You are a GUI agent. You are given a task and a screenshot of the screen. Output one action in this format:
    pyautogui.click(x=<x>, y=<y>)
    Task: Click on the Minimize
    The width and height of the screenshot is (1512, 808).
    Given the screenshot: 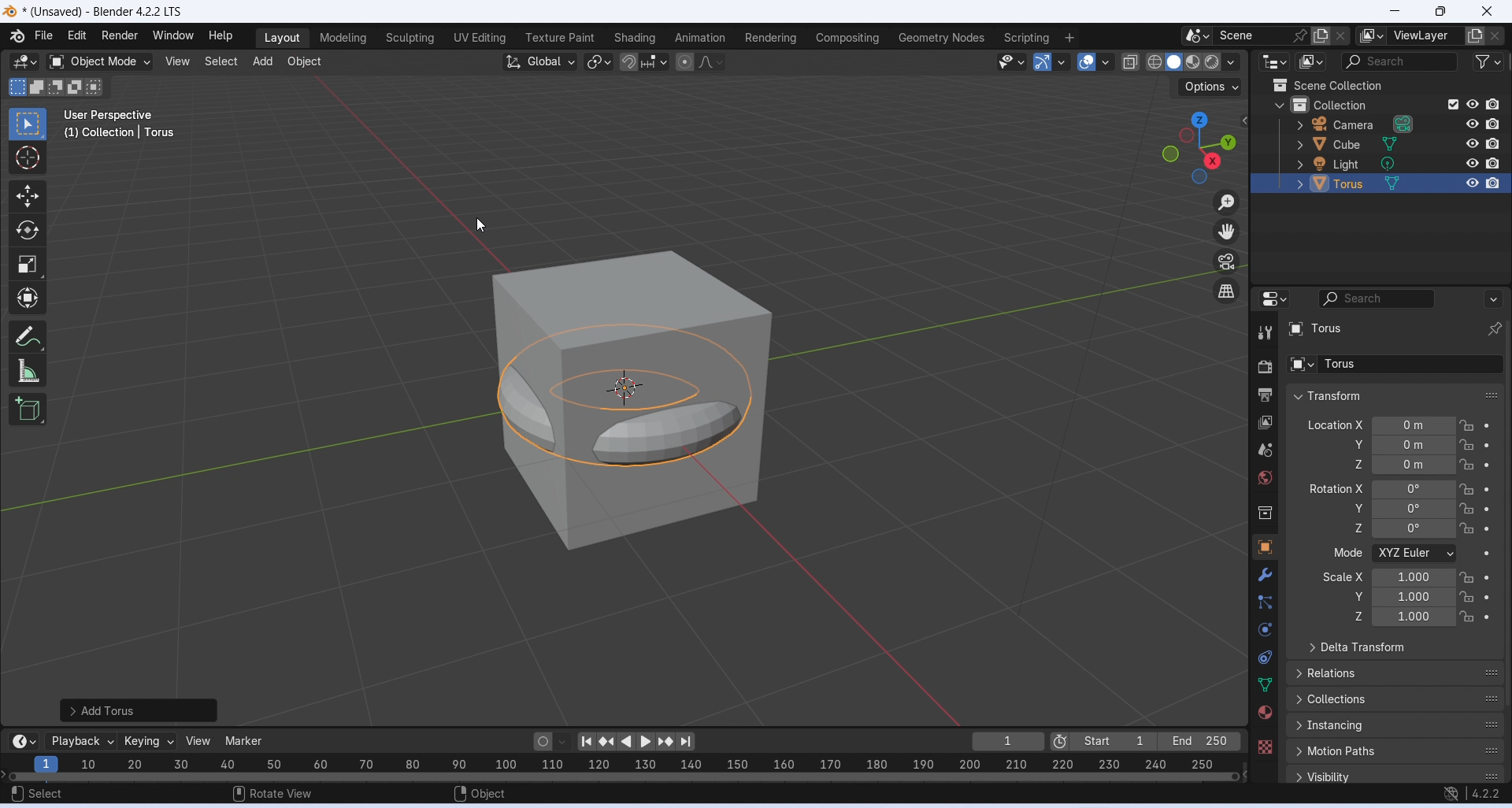 What is the action you would take?
    pyautogui.click(x=1395, y=11)
    